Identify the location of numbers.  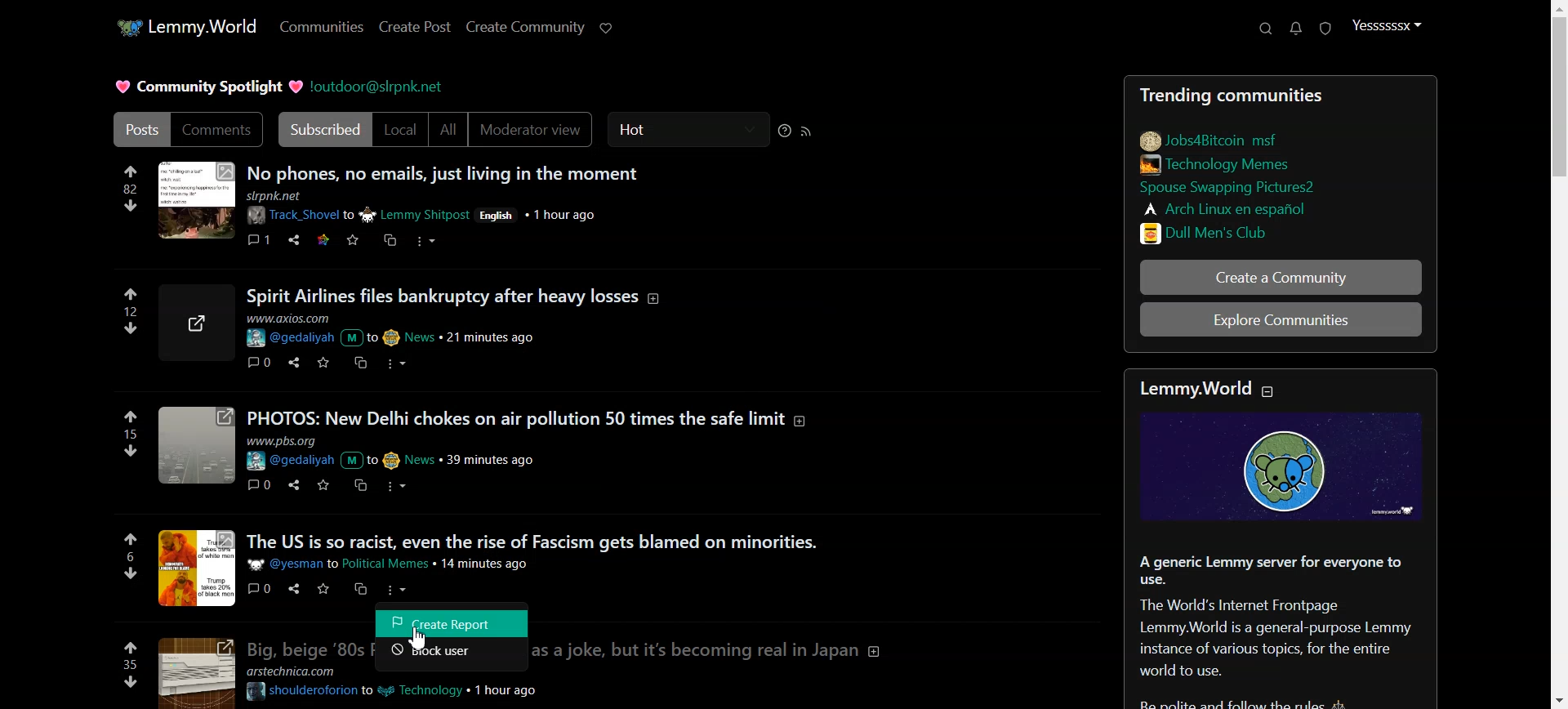
(132, 310).